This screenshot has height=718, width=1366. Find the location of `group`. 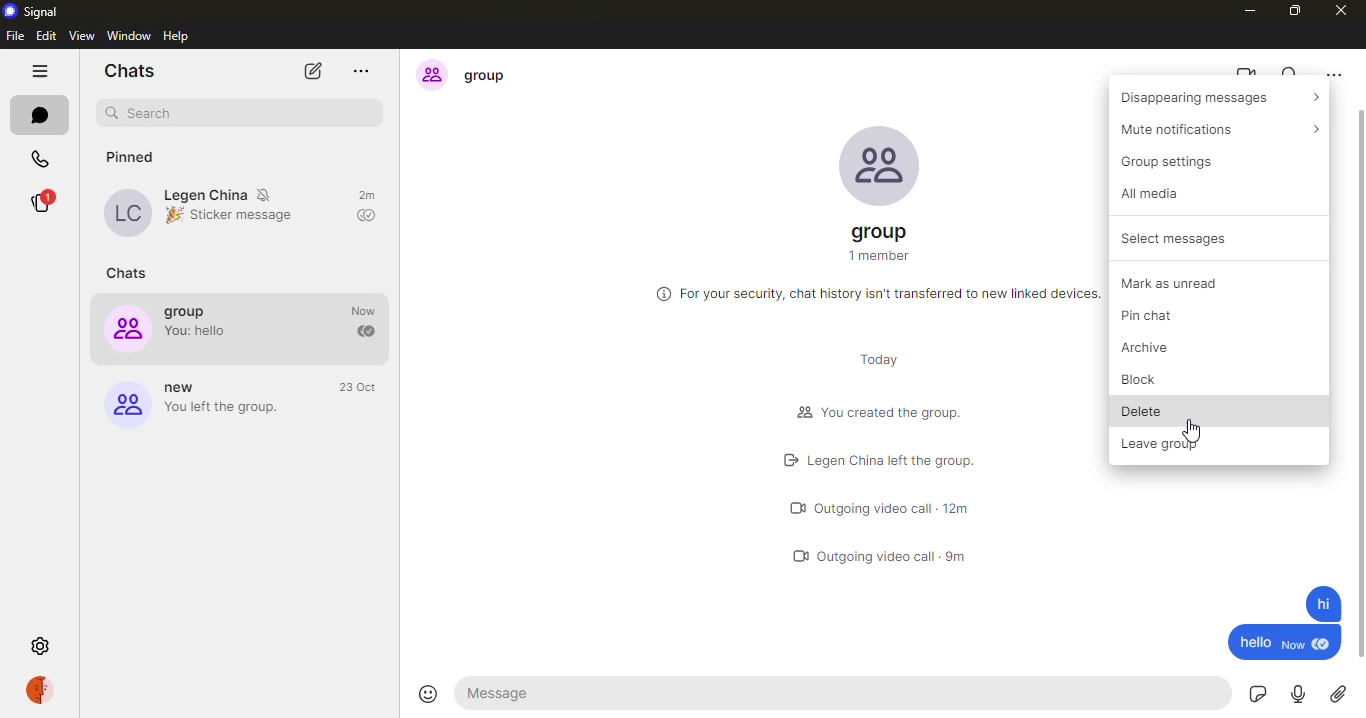

group is located at coordinates (499, 77).